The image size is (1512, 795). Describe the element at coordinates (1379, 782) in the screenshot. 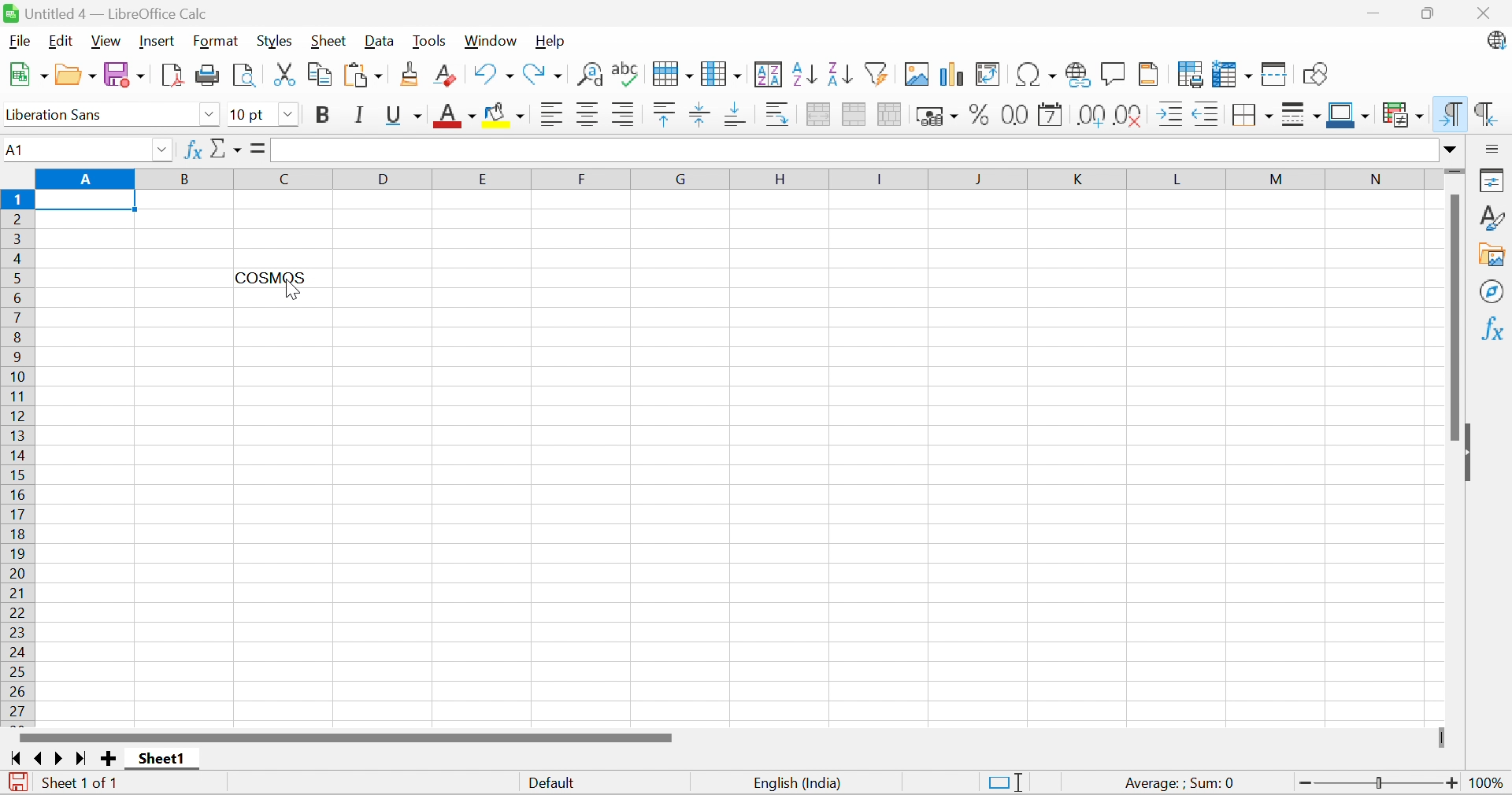

I see `Slider` at that location.